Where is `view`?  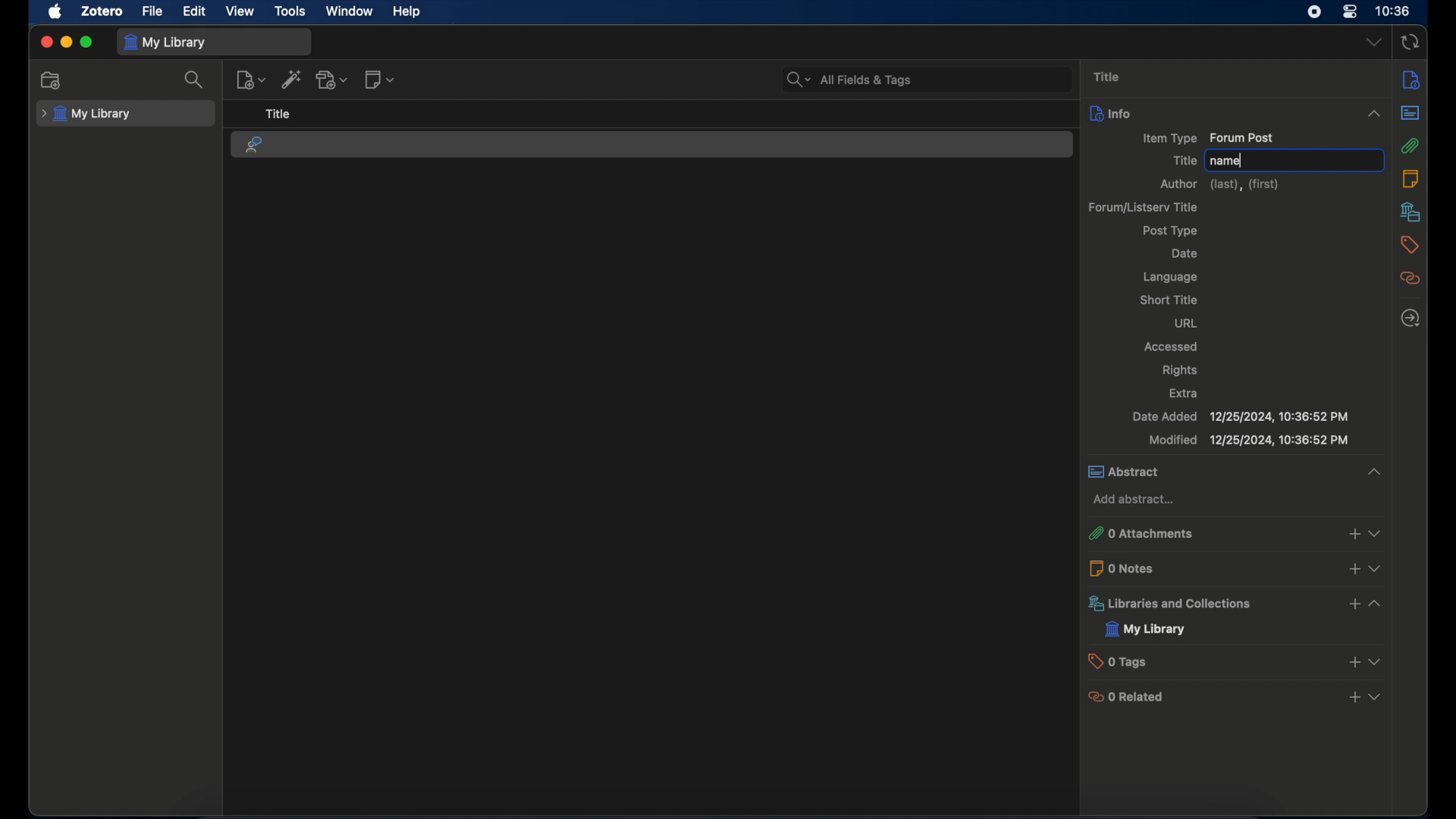 view is located at coordinates (241, 11).